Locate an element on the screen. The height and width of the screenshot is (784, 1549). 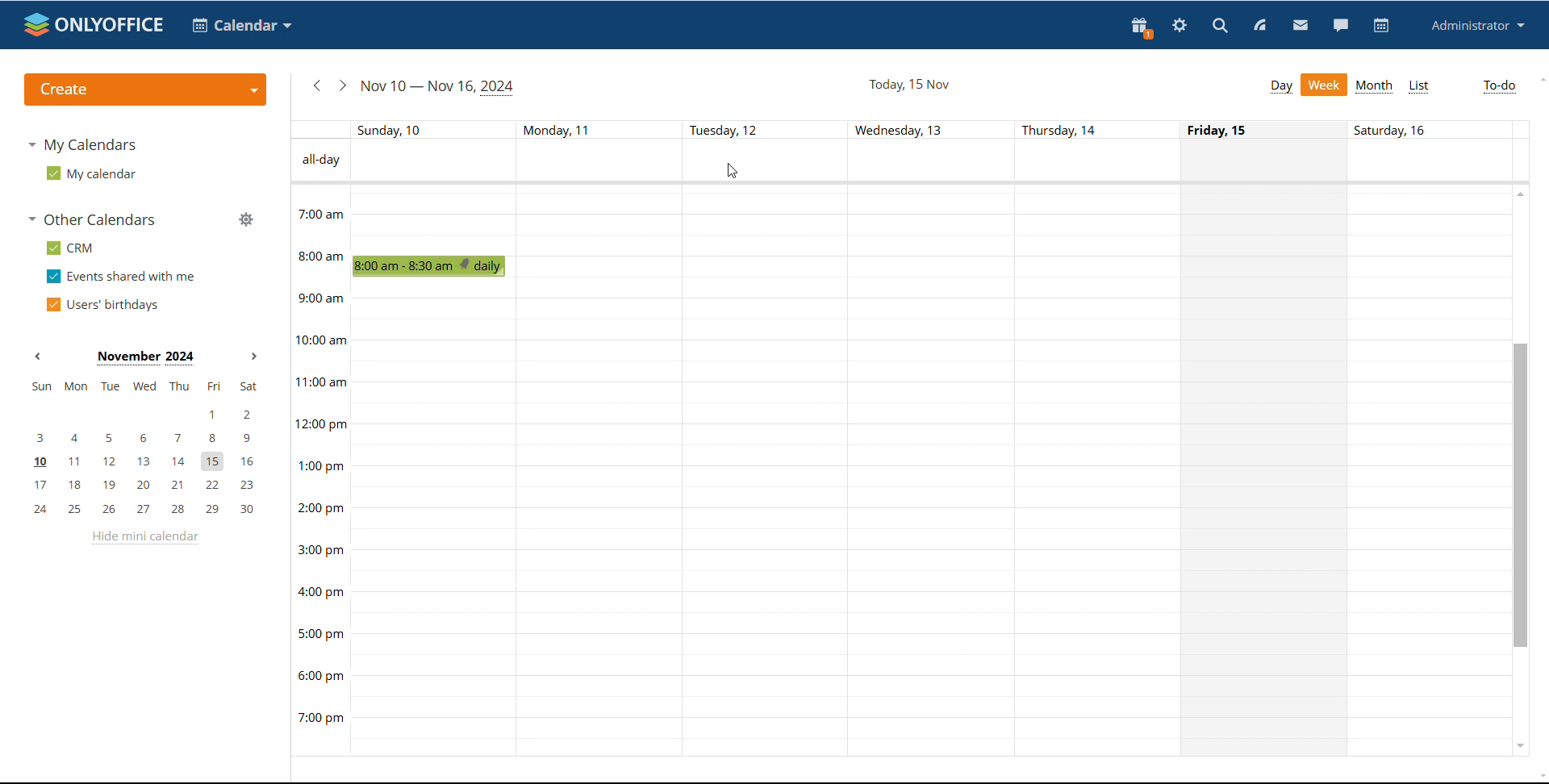
users' birthdays is located at coordinates (102, 305).